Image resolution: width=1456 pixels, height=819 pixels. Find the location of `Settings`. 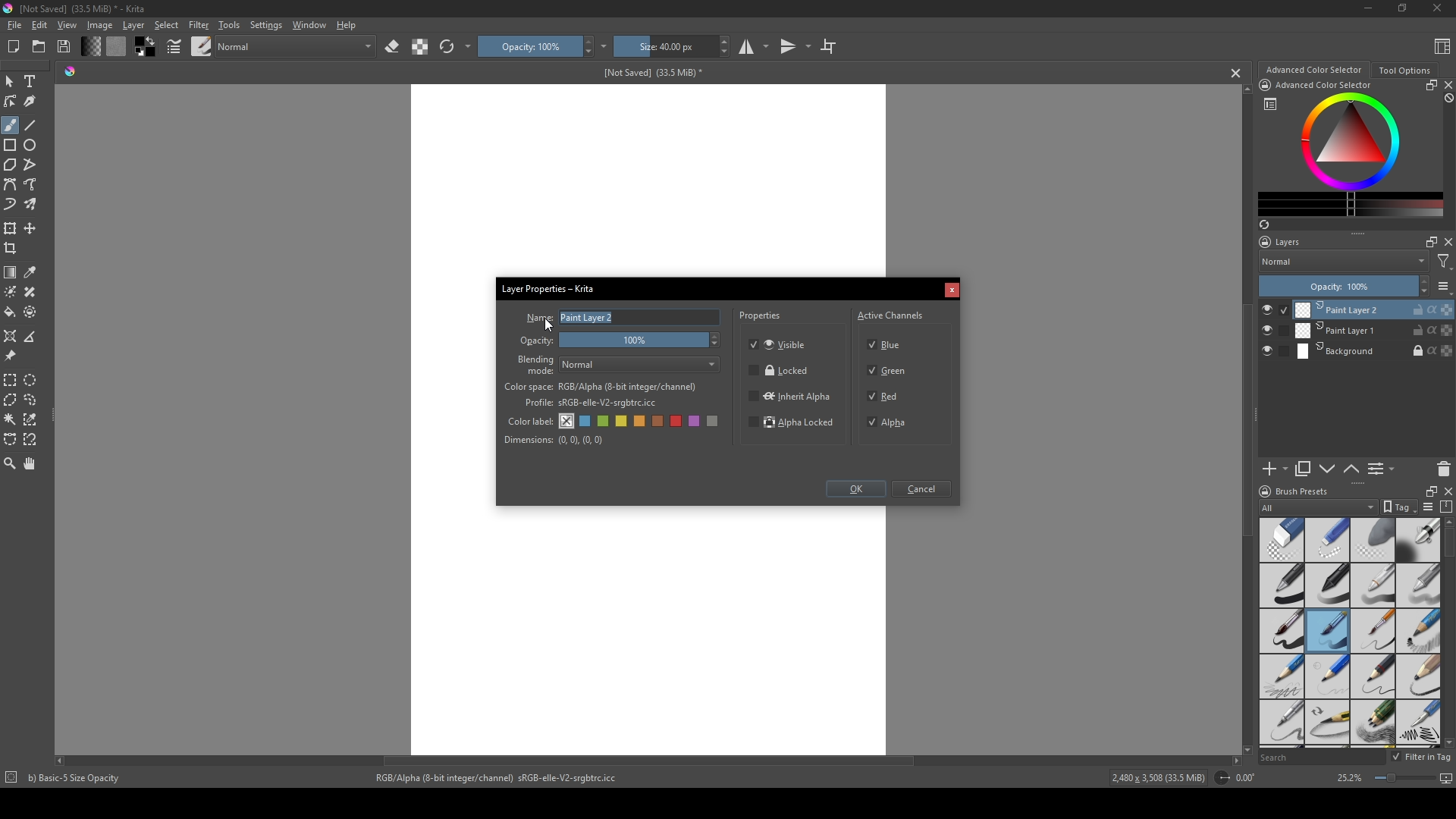

Settings is located at coordinates (265, 25).